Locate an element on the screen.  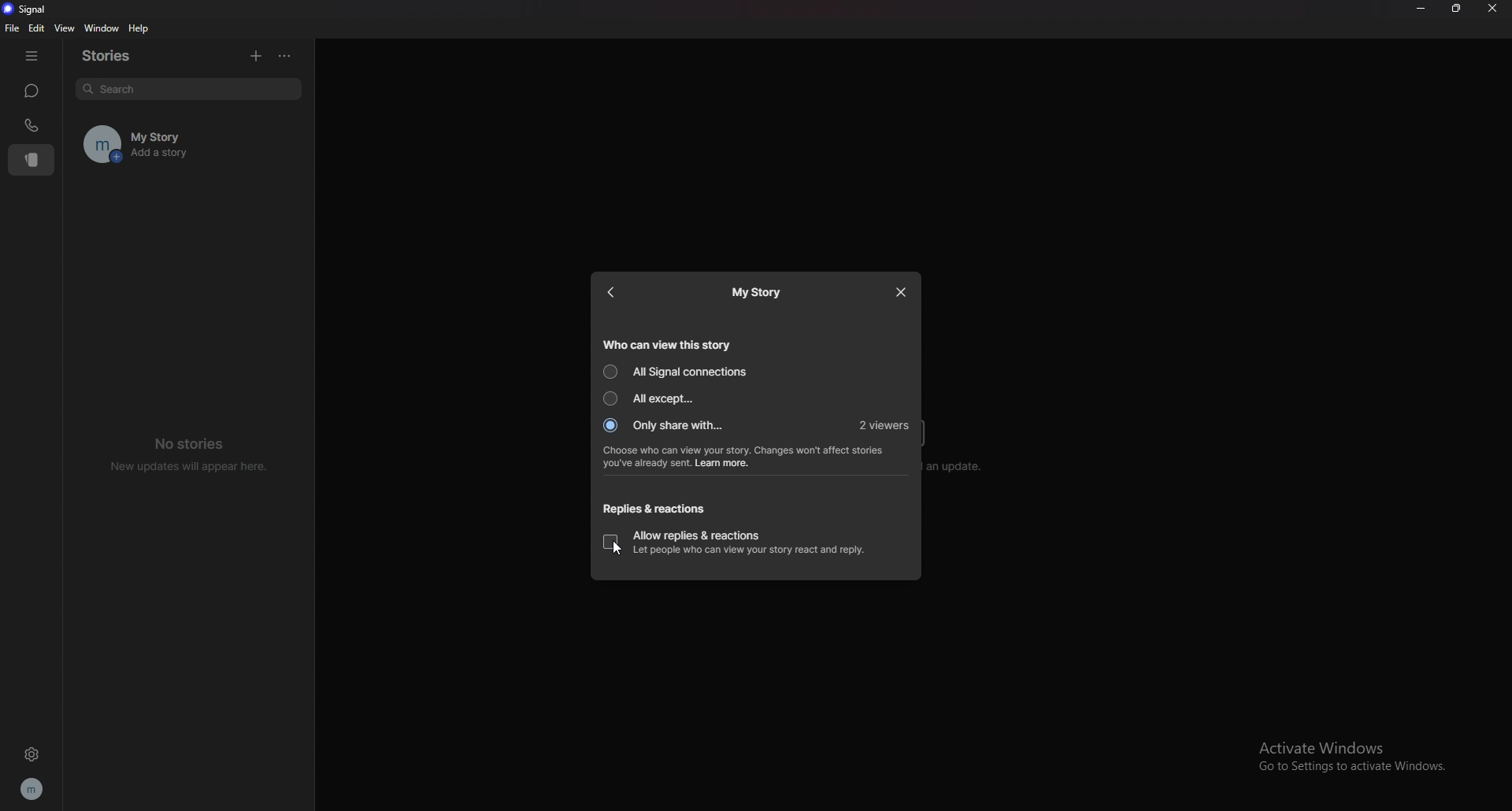
No stories is located at coordinates (195, 443).